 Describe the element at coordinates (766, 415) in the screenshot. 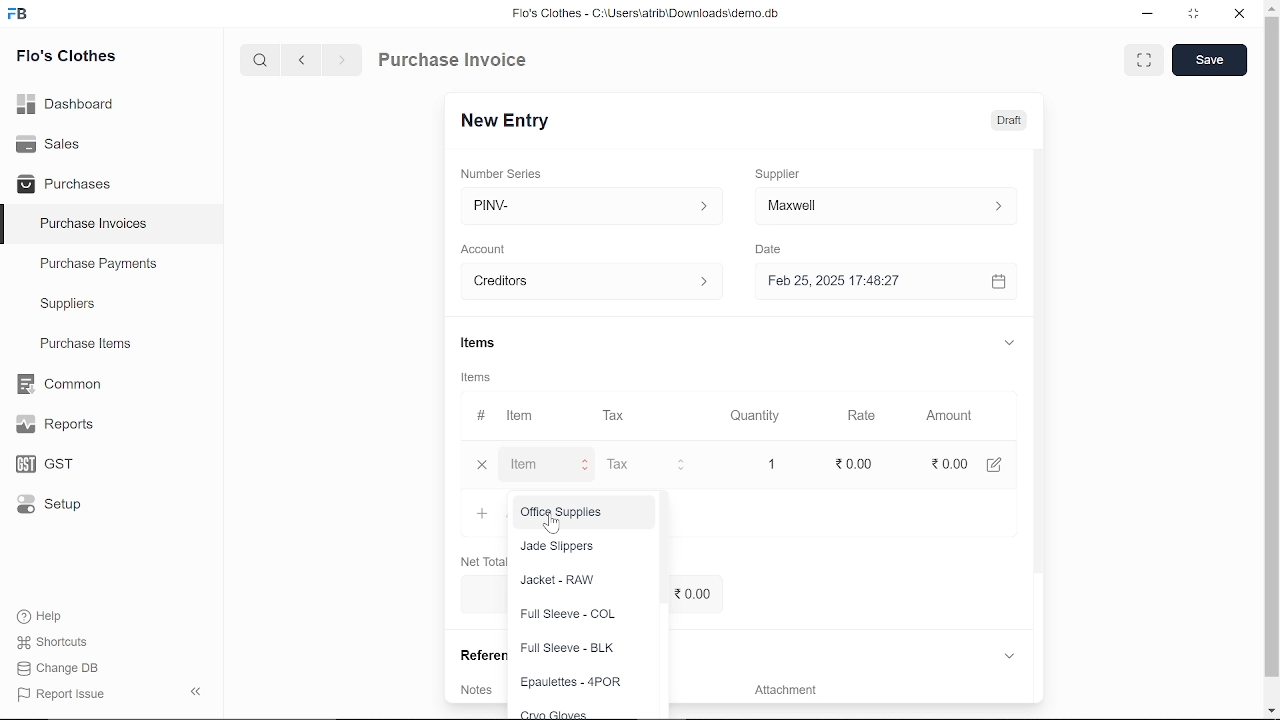

I see `Quantity` at that location.